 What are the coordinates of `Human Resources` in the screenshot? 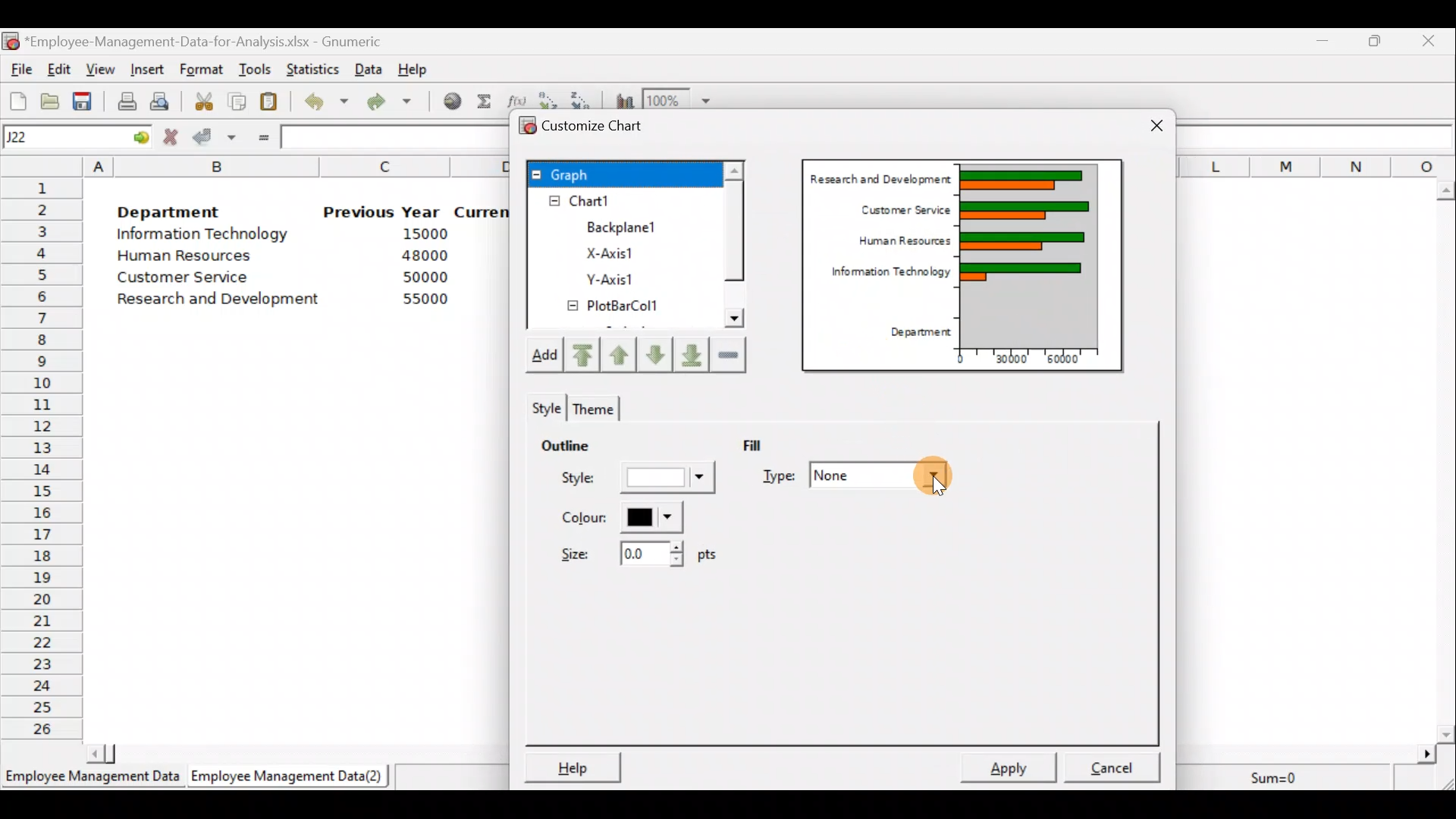 It's located at (196, 257).